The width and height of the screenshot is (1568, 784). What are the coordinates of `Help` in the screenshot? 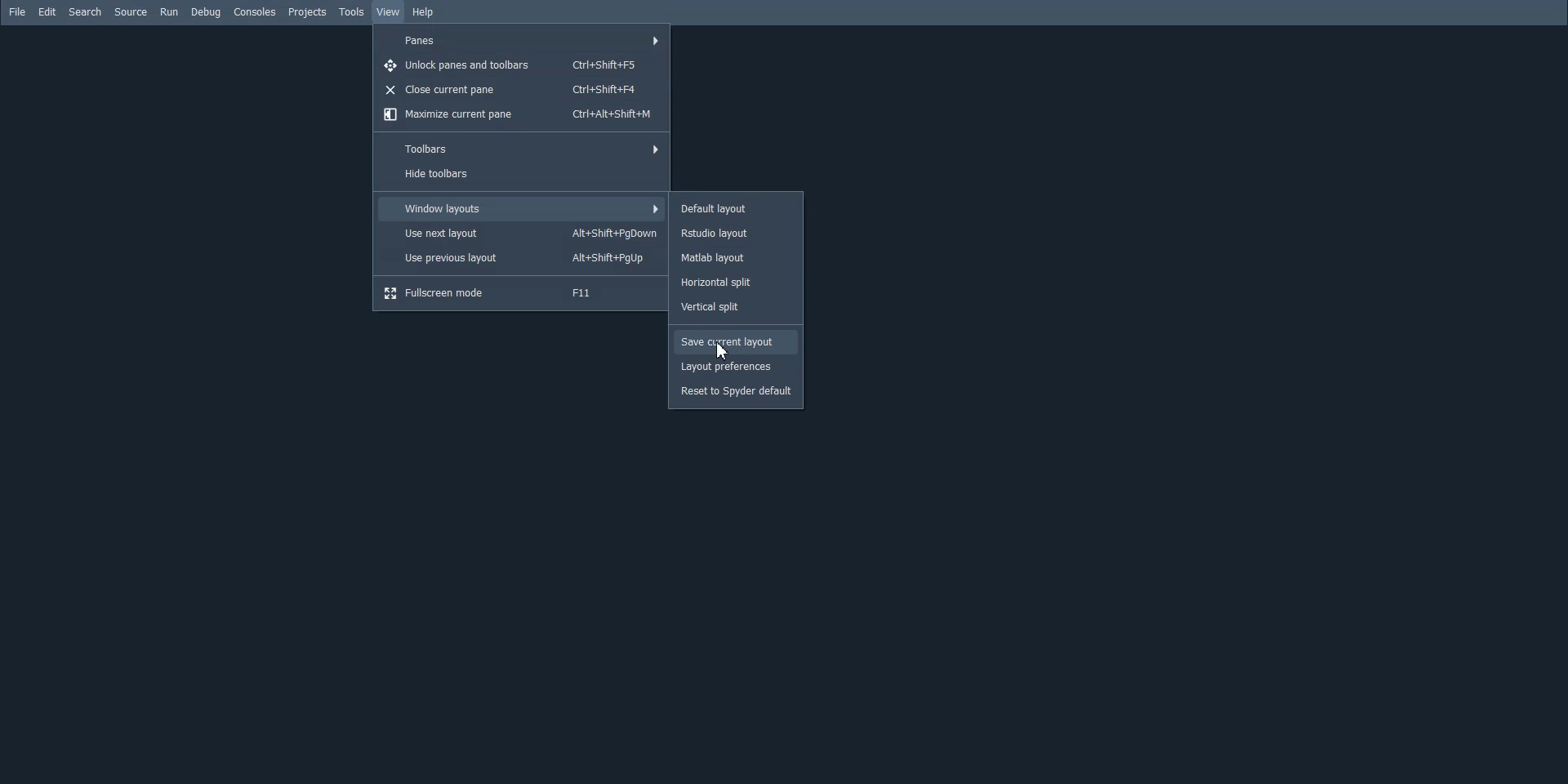 It's located at (424, 13).